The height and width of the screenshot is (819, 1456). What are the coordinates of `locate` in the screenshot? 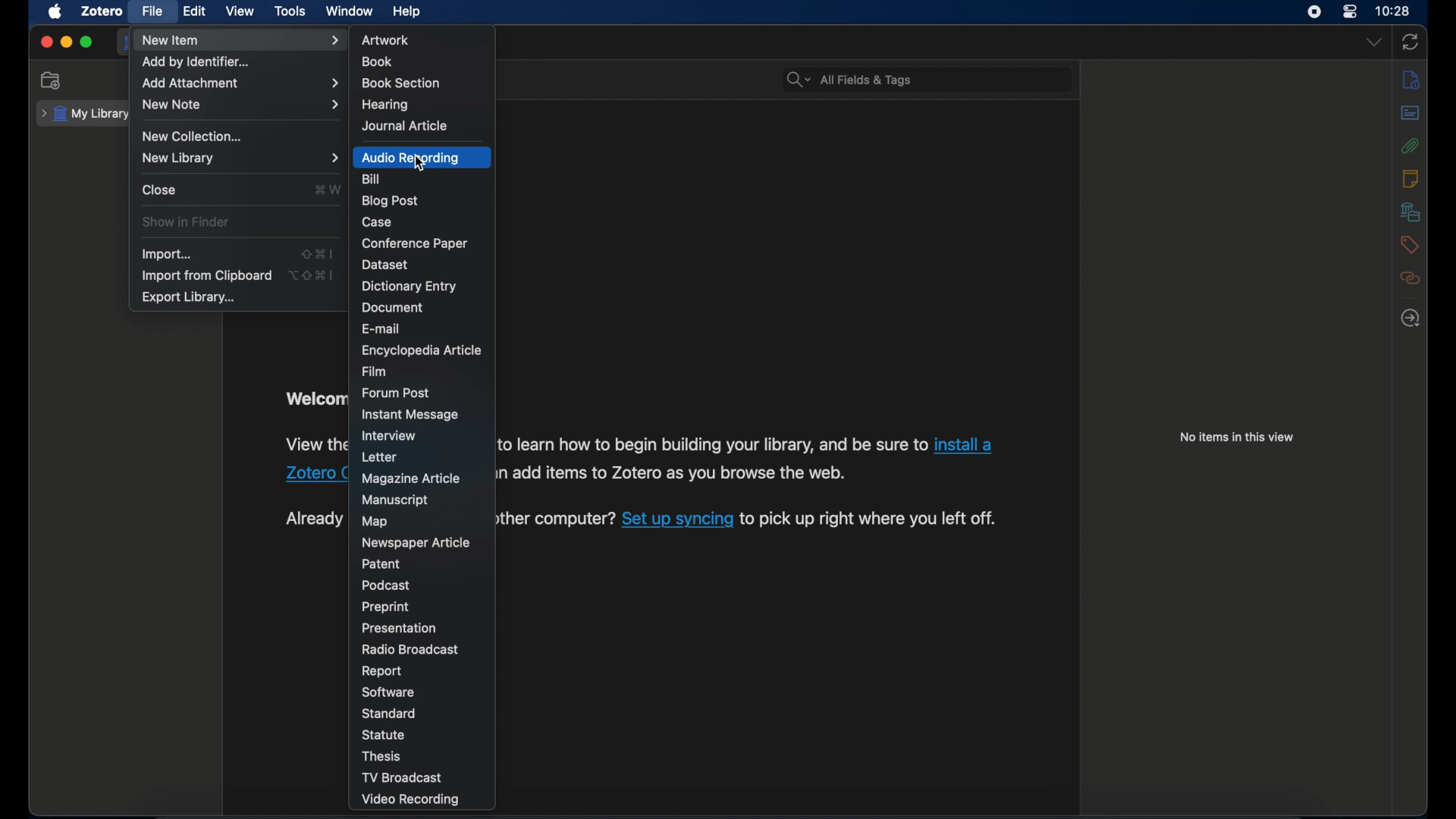 It's located at (1410, 318).